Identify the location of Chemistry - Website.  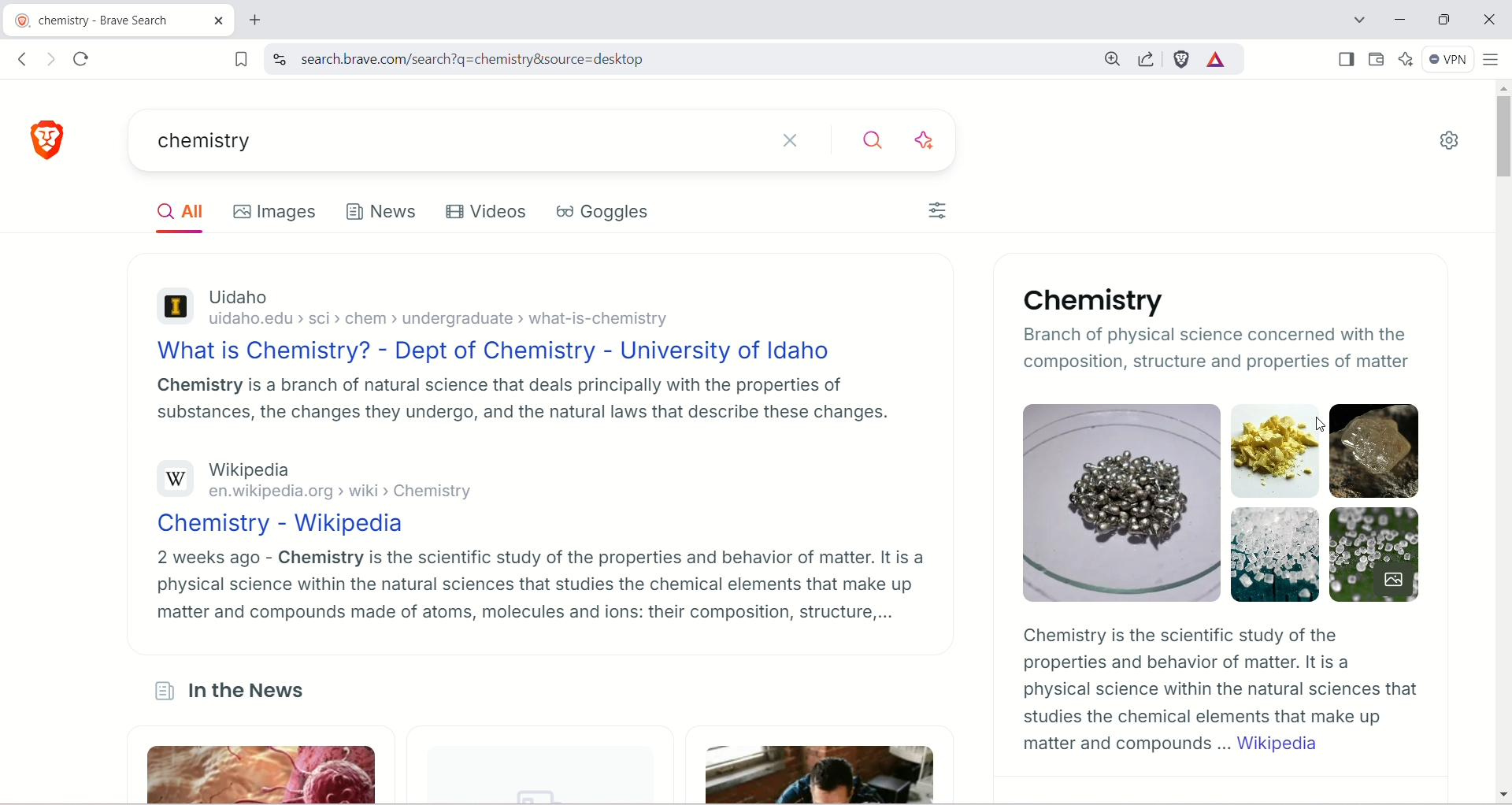
(295, 525).